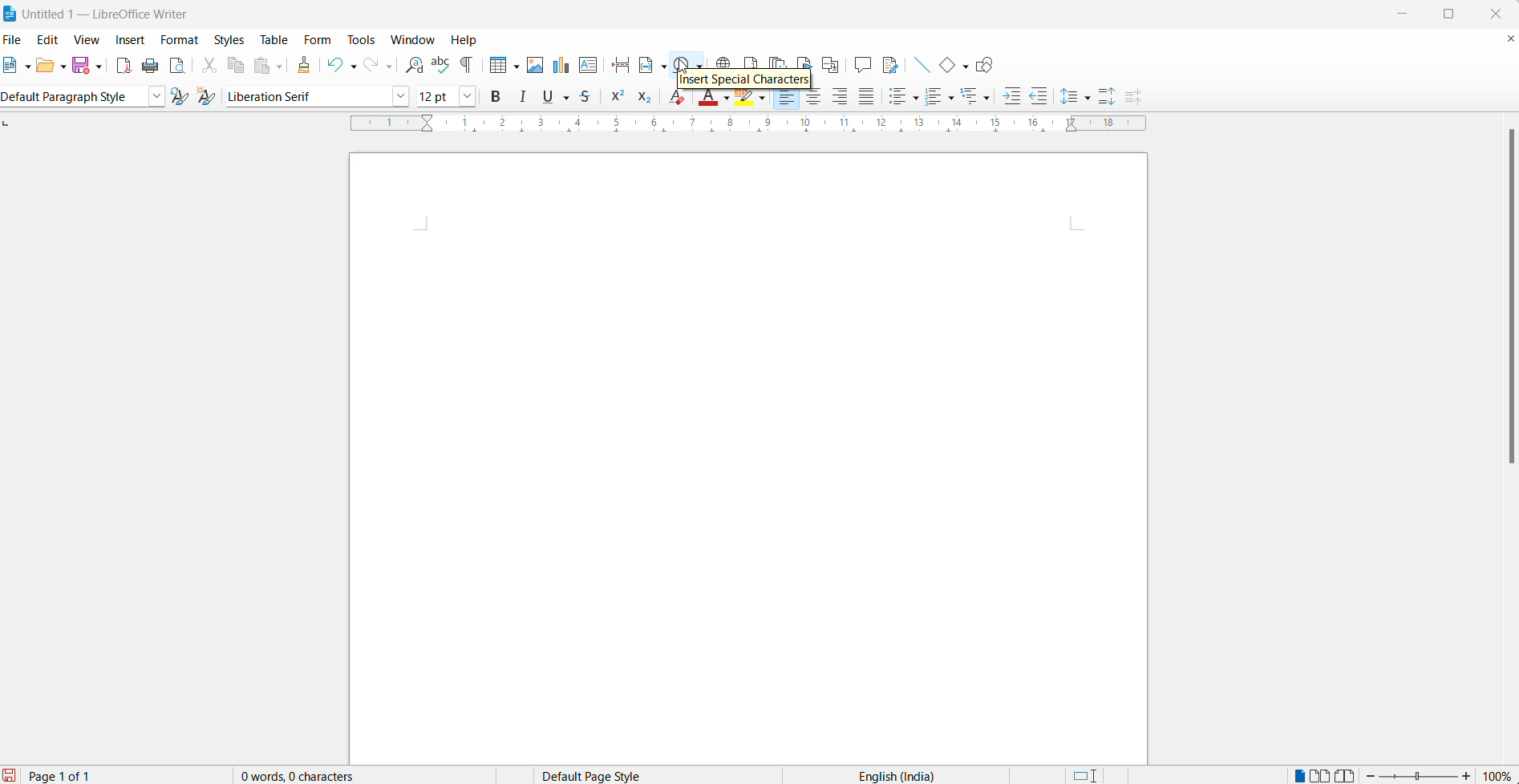 The width and height of the screenshot is (1519, 784). What do you see at coordinates (111, 14) in the screenshot?
I see `hy Untitled 1 — LibreOffice Writer` at bounding box center [111, 14].